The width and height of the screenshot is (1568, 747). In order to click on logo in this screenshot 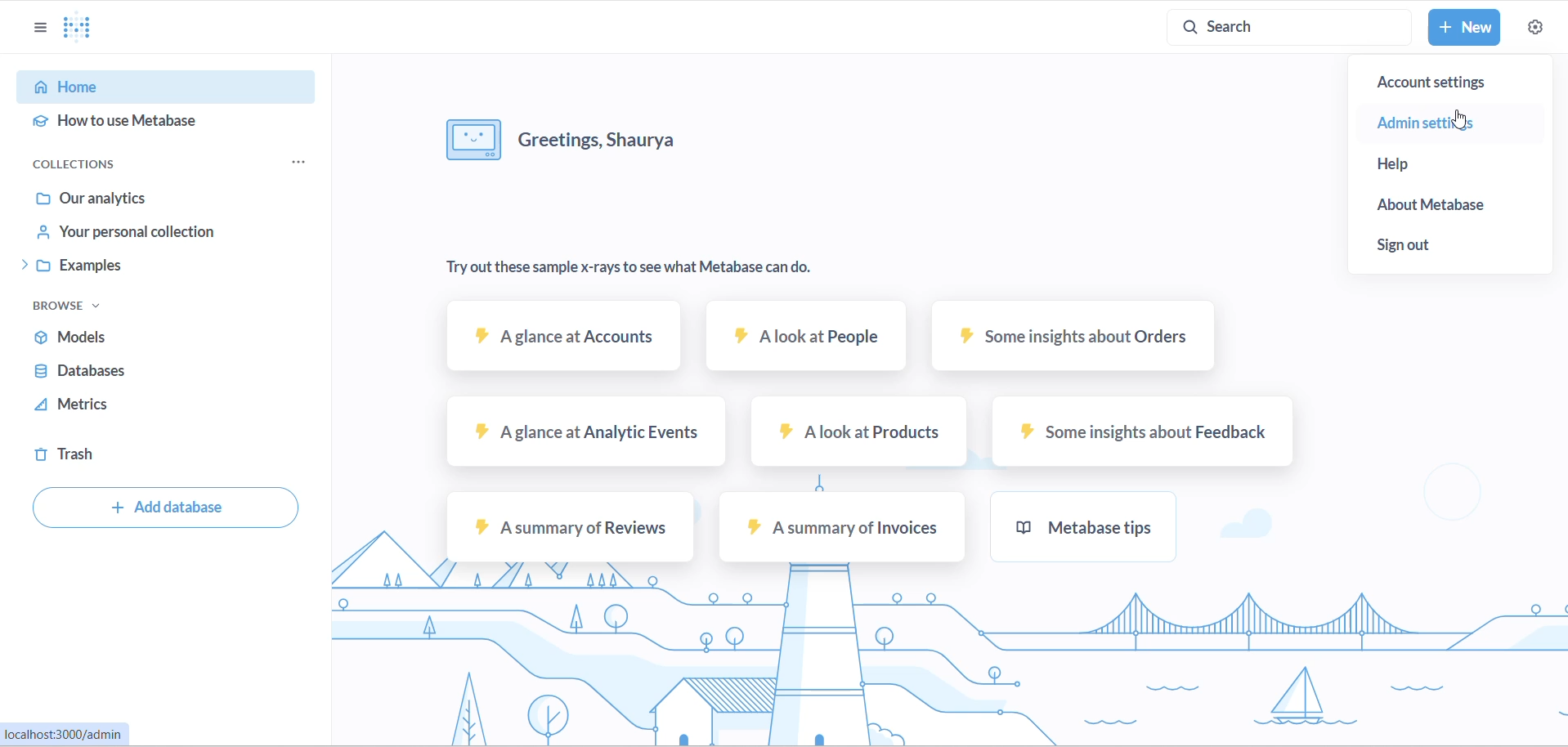, I will do `click(89, 29)`.